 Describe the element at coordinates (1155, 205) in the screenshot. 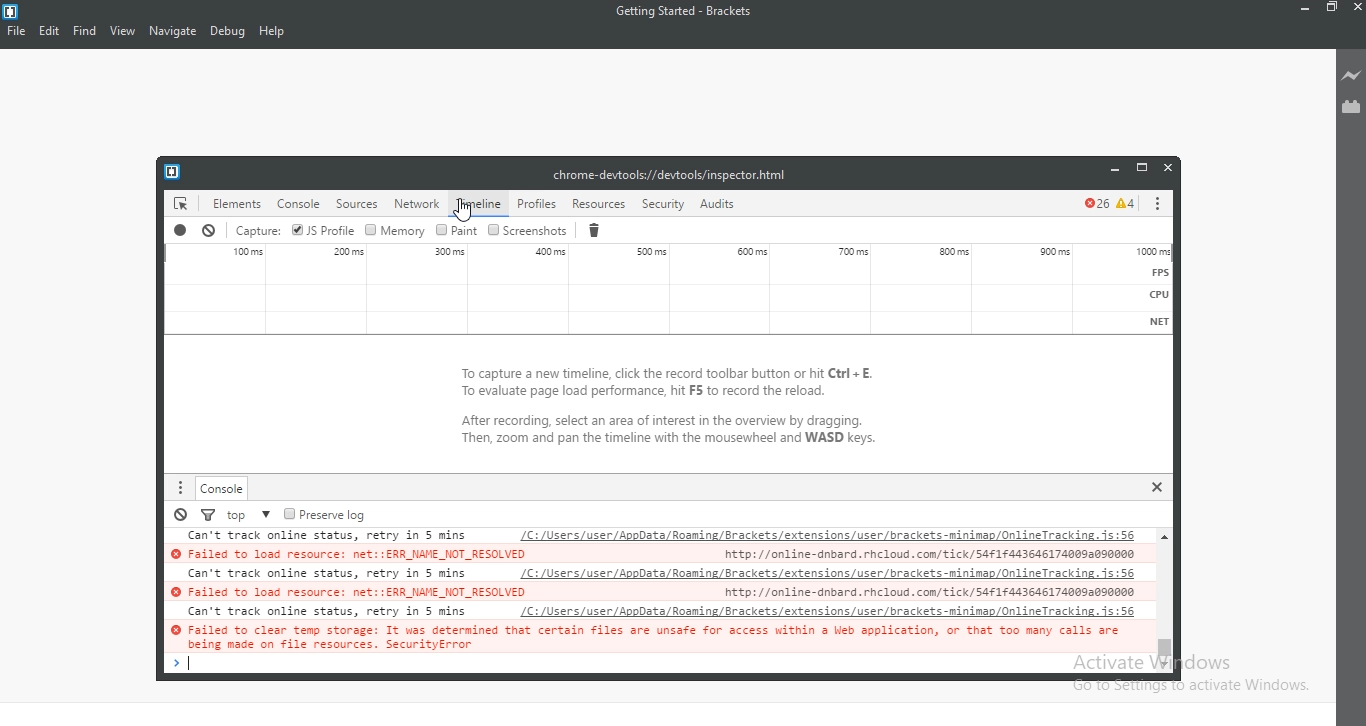

I see `options` at that location.